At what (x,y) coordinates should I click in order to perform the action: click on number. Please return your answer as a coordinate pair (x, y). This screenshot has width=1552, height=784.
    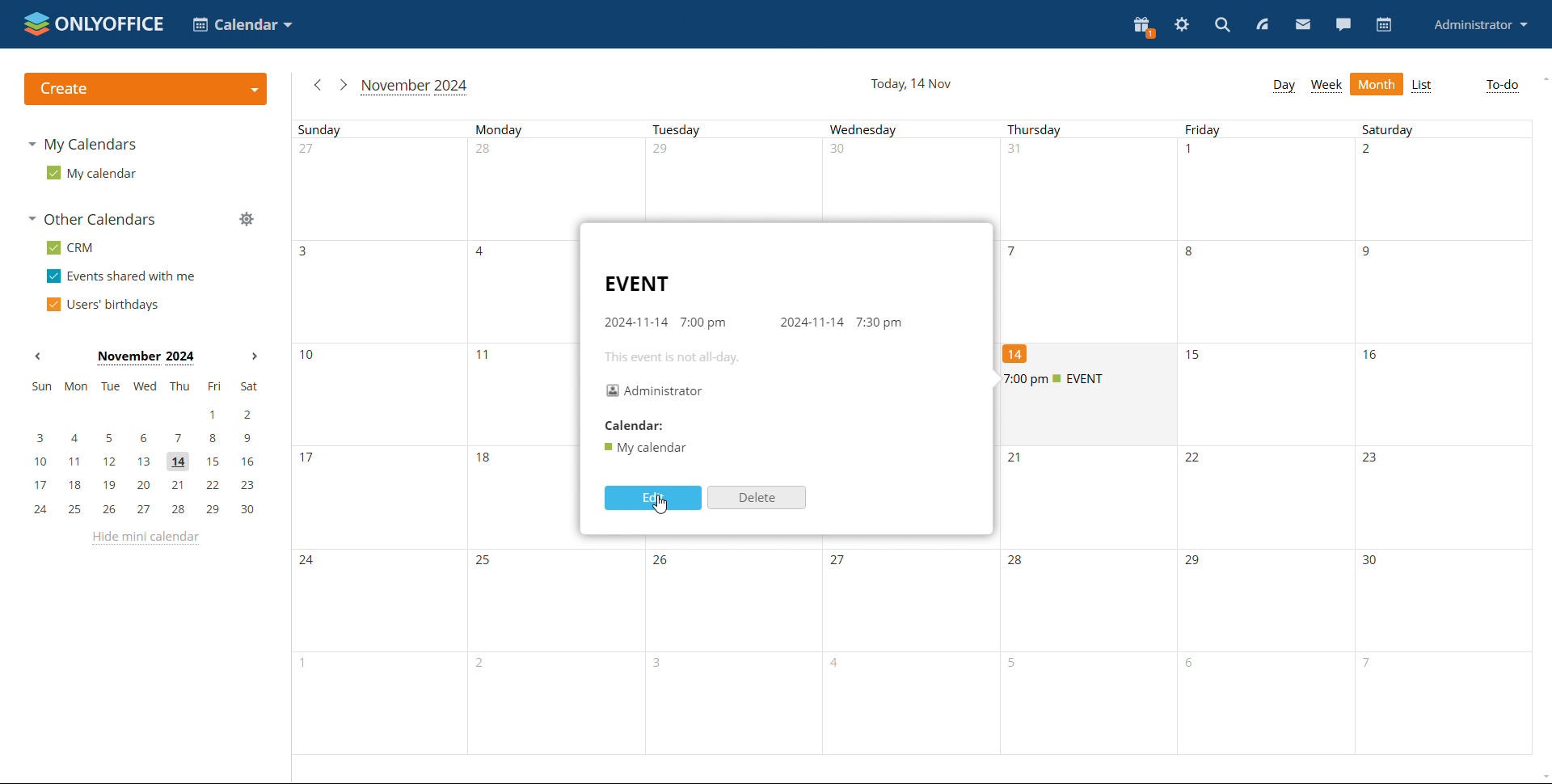
    Looking at the image, I should click on (1194, 664).